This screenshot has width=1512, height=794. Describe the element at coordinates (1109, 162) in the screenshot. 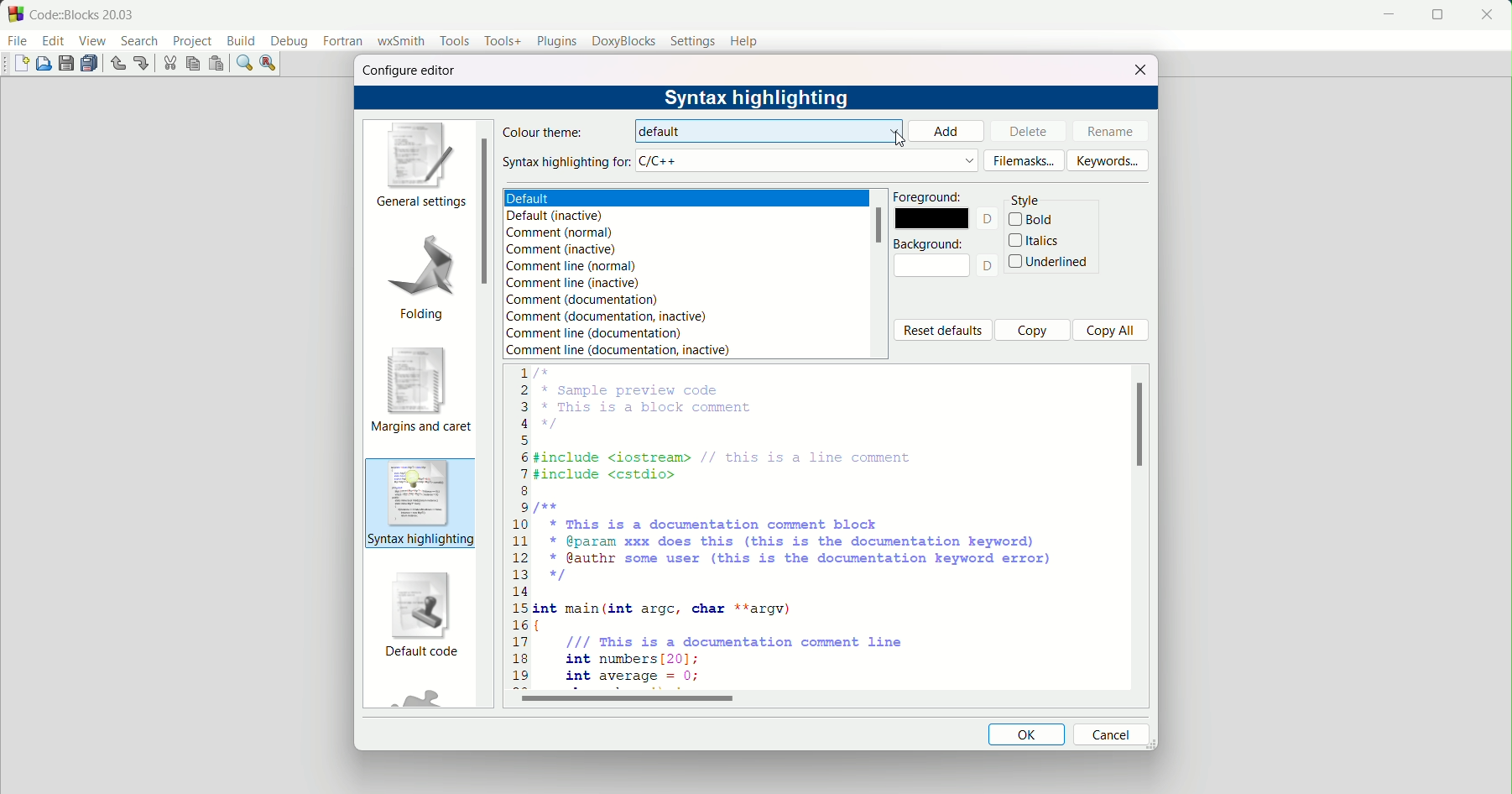

I see `keywords` at that location.